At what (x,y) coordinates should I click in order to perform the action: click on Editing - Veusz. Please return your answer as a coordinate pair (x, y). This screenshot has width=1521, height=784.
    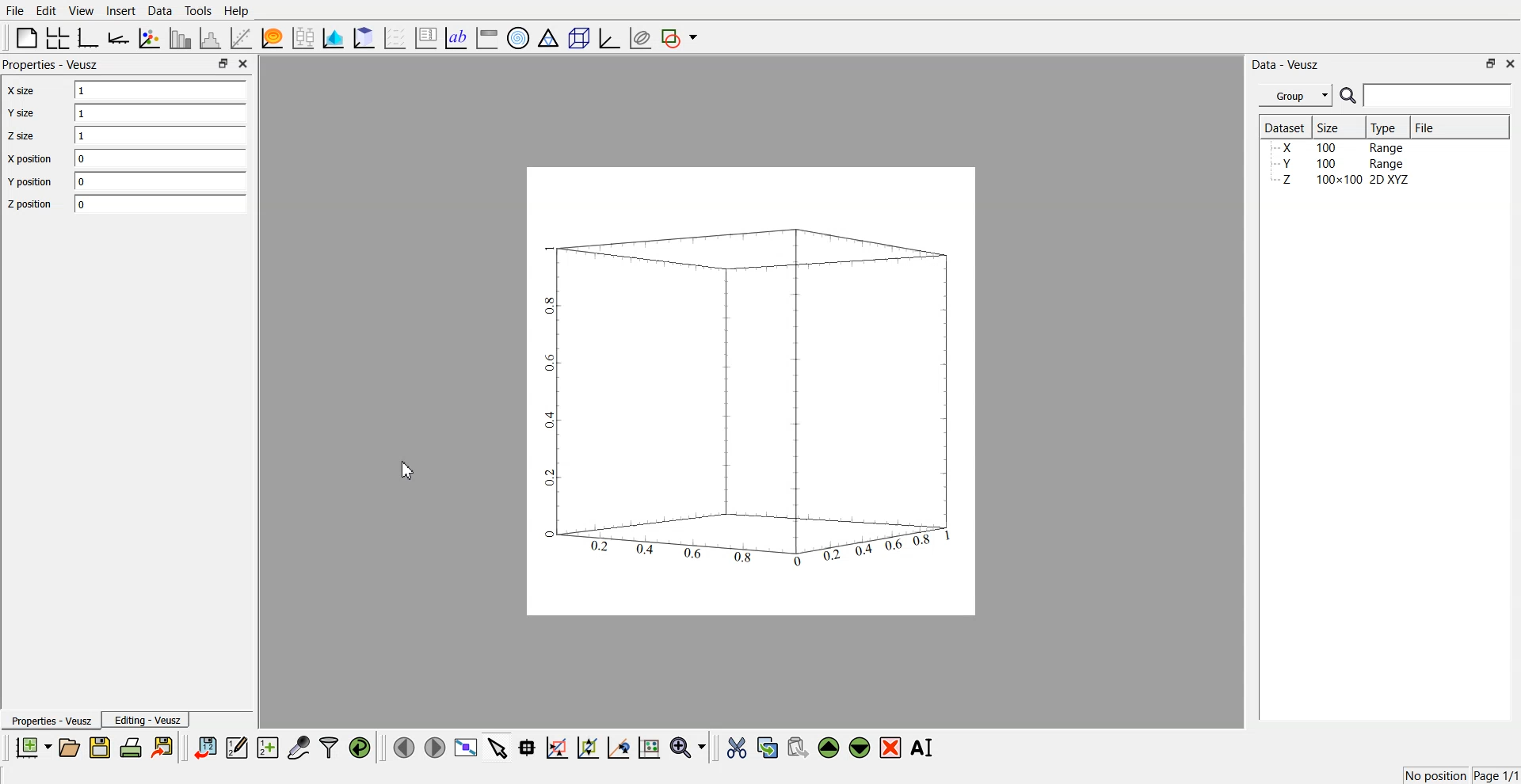
    Looking at the image, I should click on (146, 719).